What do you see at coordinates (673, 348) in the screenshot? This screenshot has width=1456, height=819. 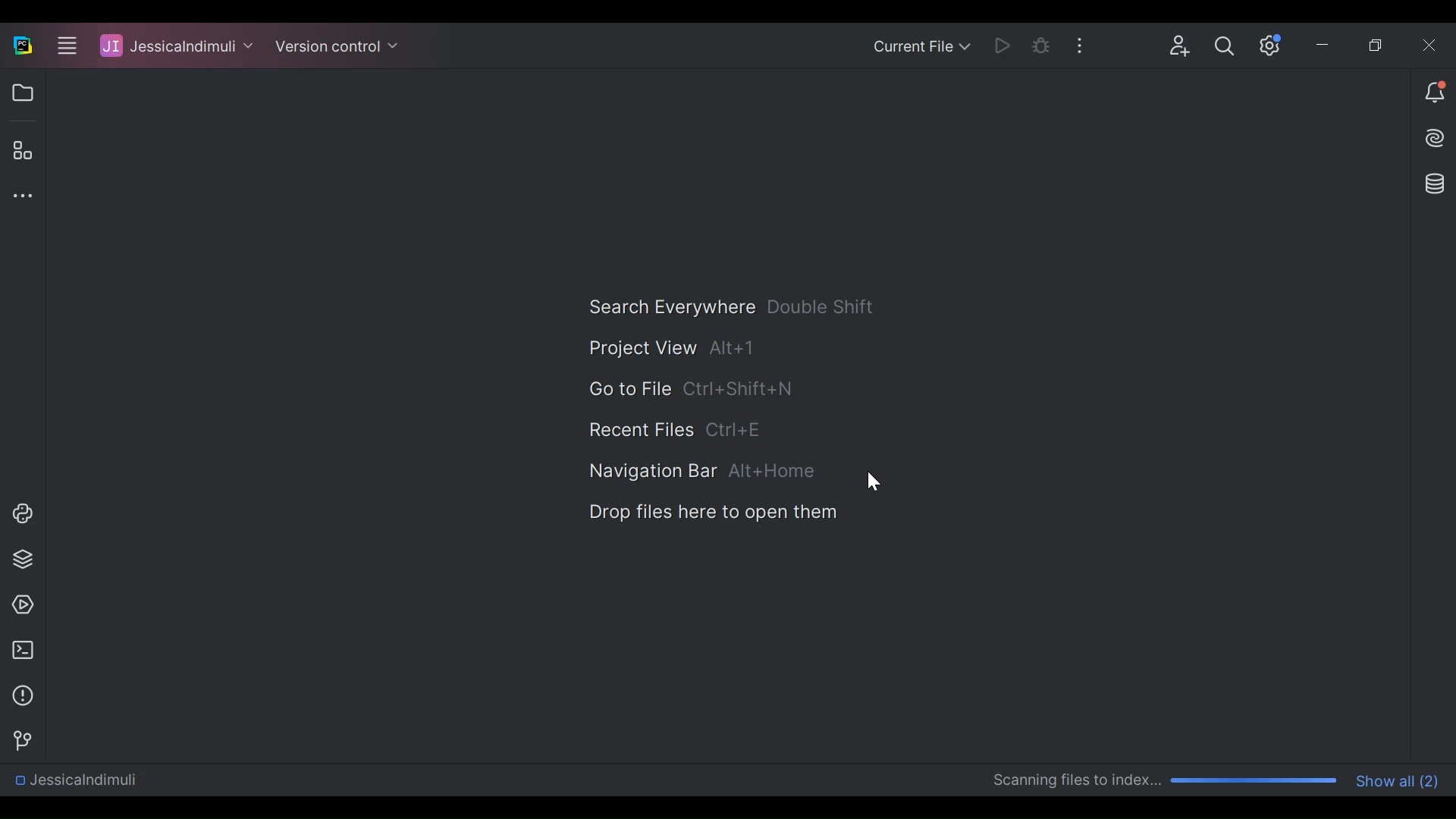 I see `Project View` at bounding box center [673, 348].